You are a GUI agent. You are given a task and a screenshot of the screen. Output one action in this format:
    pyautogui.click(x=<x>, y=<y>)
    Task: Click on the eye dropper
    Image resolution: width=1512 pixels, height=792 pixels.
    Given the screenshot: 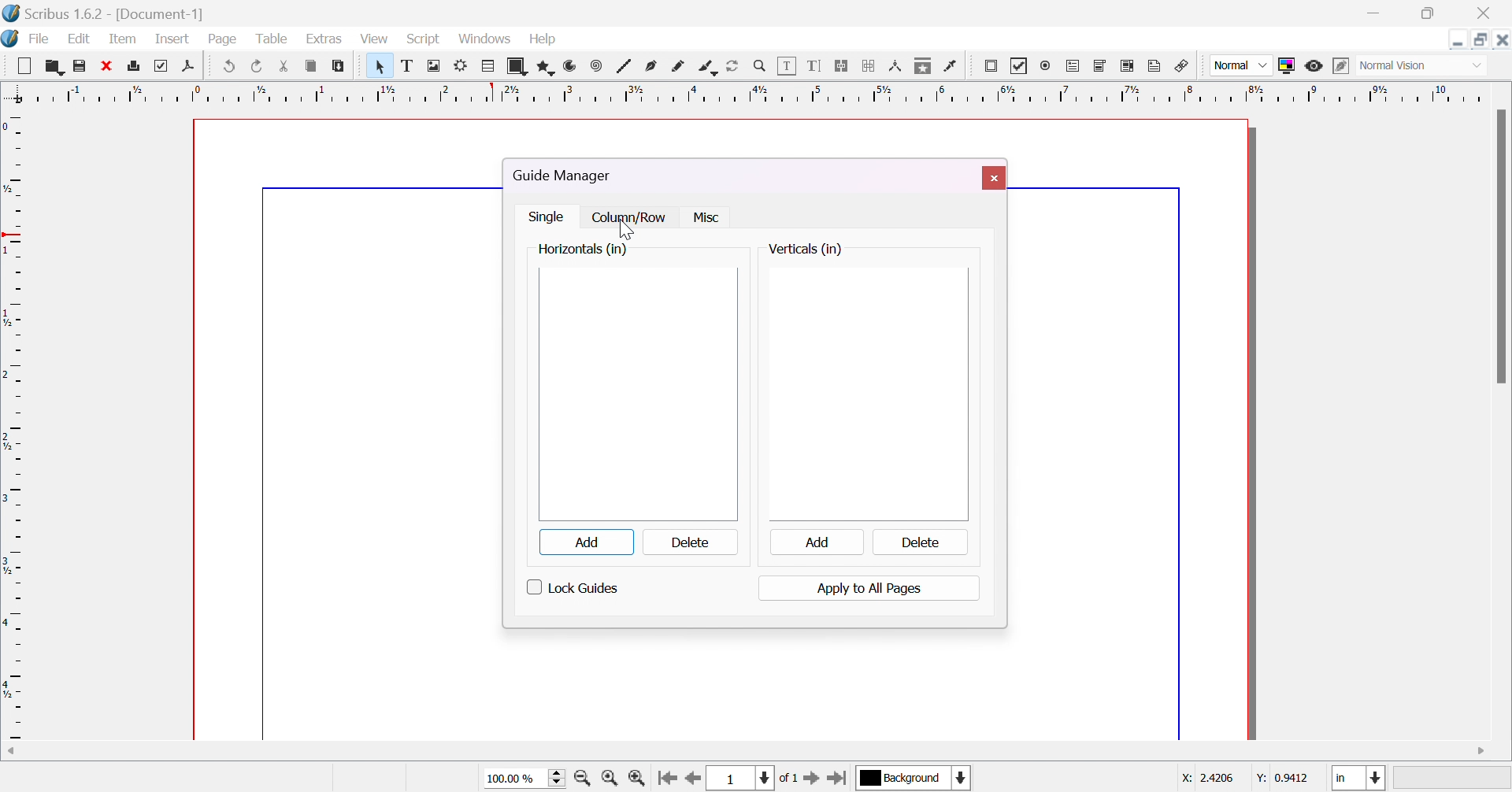 What is the action you would take?
    pyautogui.click(x=953, y=68)
    